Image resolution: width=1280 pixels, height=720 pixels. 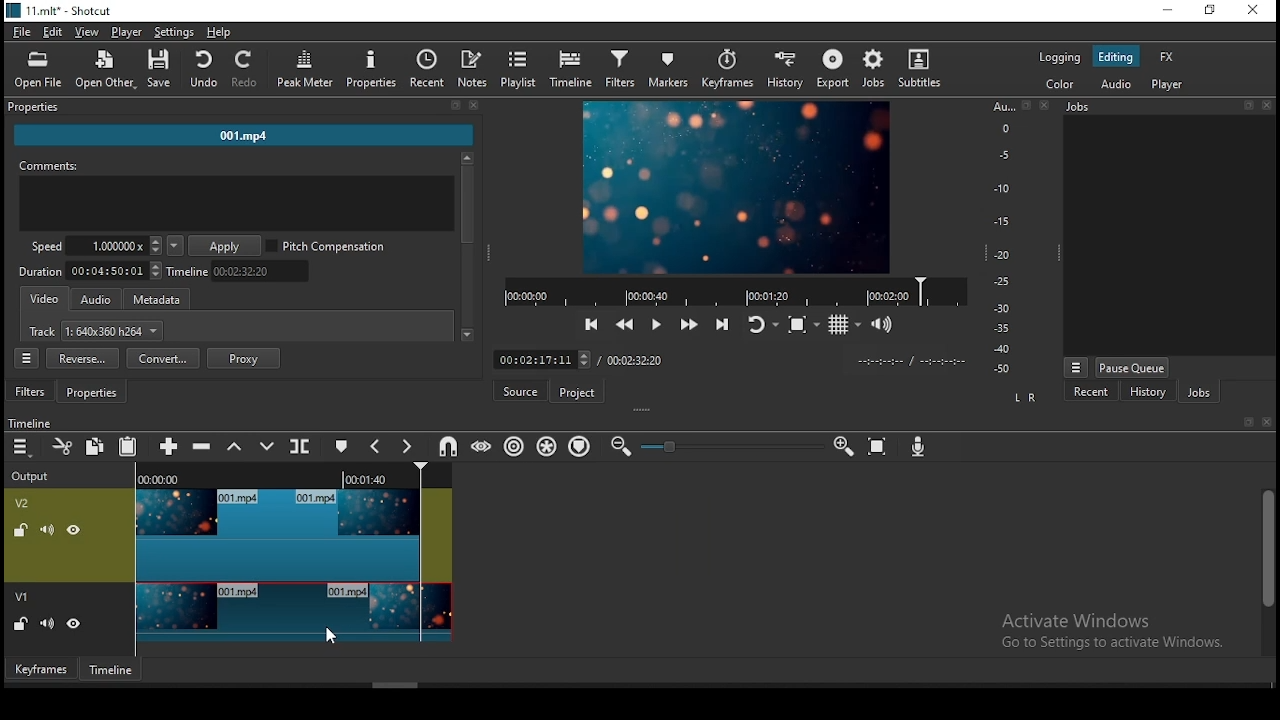 What do you see at coordinates (302, 446) in the screenshot?
I see `split at playhead` at bounding box center [302, 446].